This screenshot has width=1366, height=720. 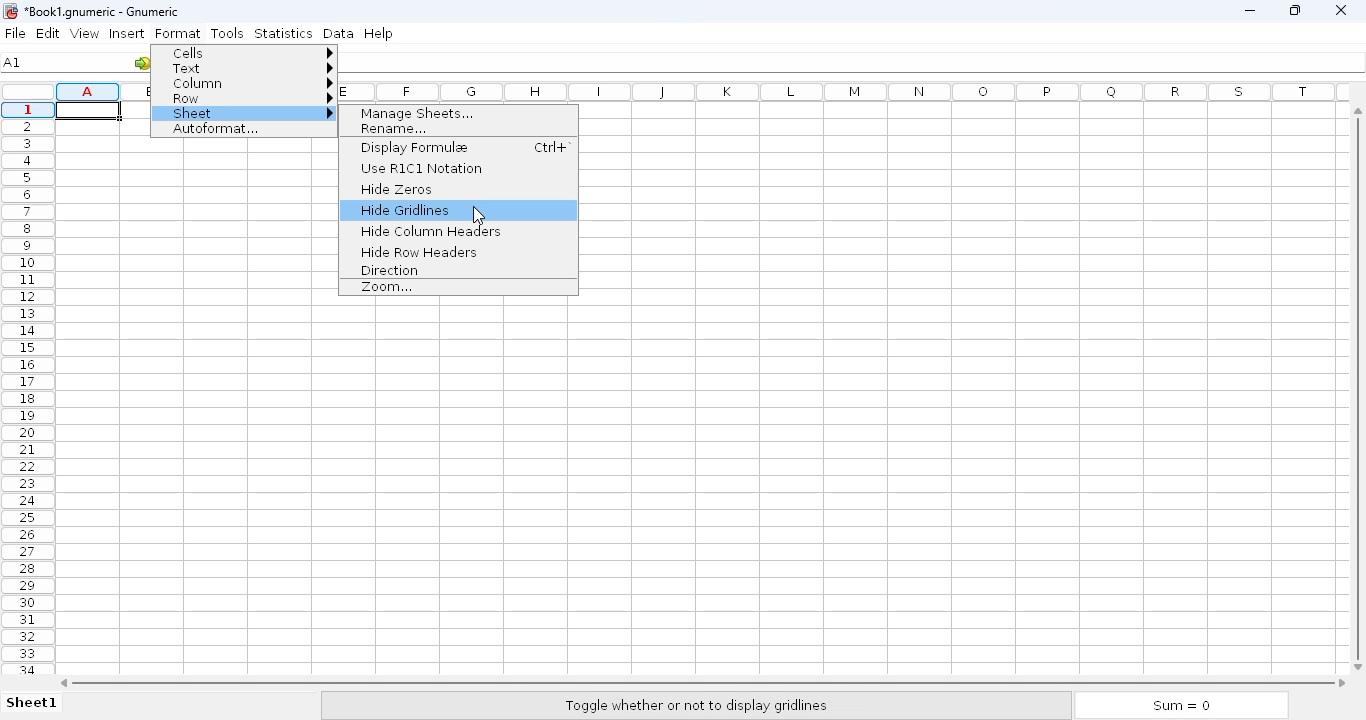 What do you see at coordinates (703, 682) in the screenshot?
I see `horizontal scroll bar` at bounding box center [703, 682].